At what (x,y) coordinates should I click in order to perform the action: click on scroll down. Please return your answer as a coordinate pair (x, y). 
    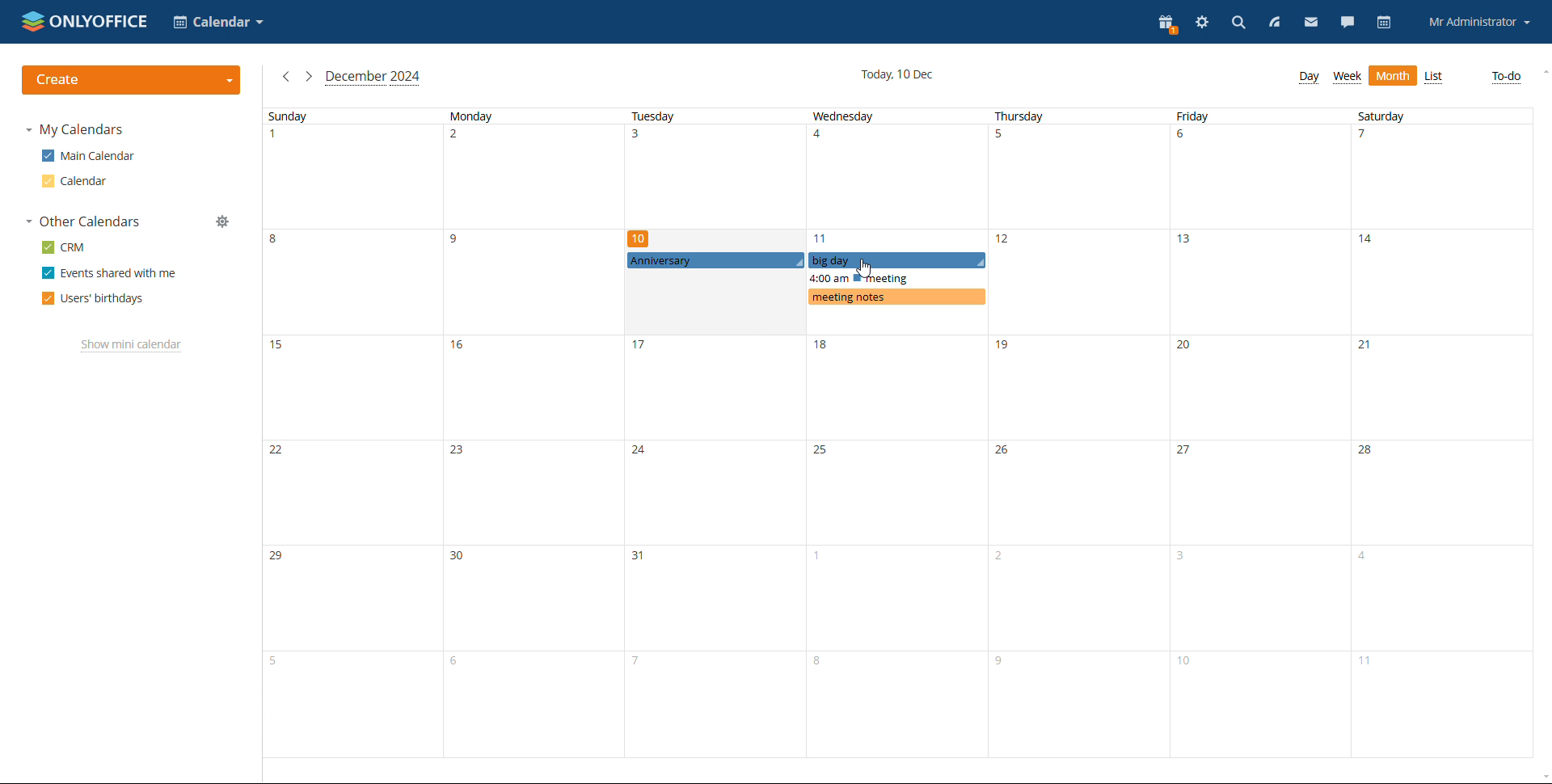
    Looking at the image, I should click on (1542, 778).